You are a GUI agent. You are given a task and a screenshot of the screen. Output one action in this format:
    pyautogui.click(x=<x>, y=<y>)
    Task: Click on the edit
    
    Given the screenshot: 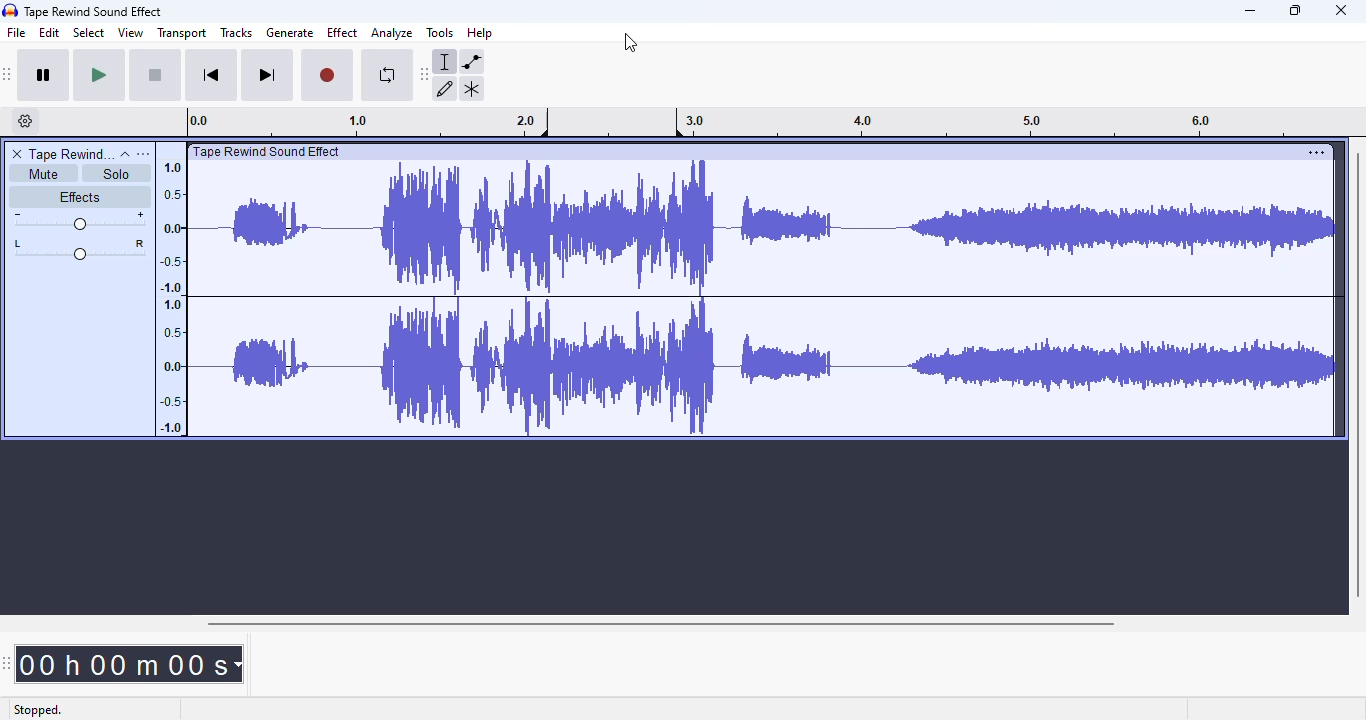 What is the action you would take?
    pyautogui.click(x=50, y=33)
    